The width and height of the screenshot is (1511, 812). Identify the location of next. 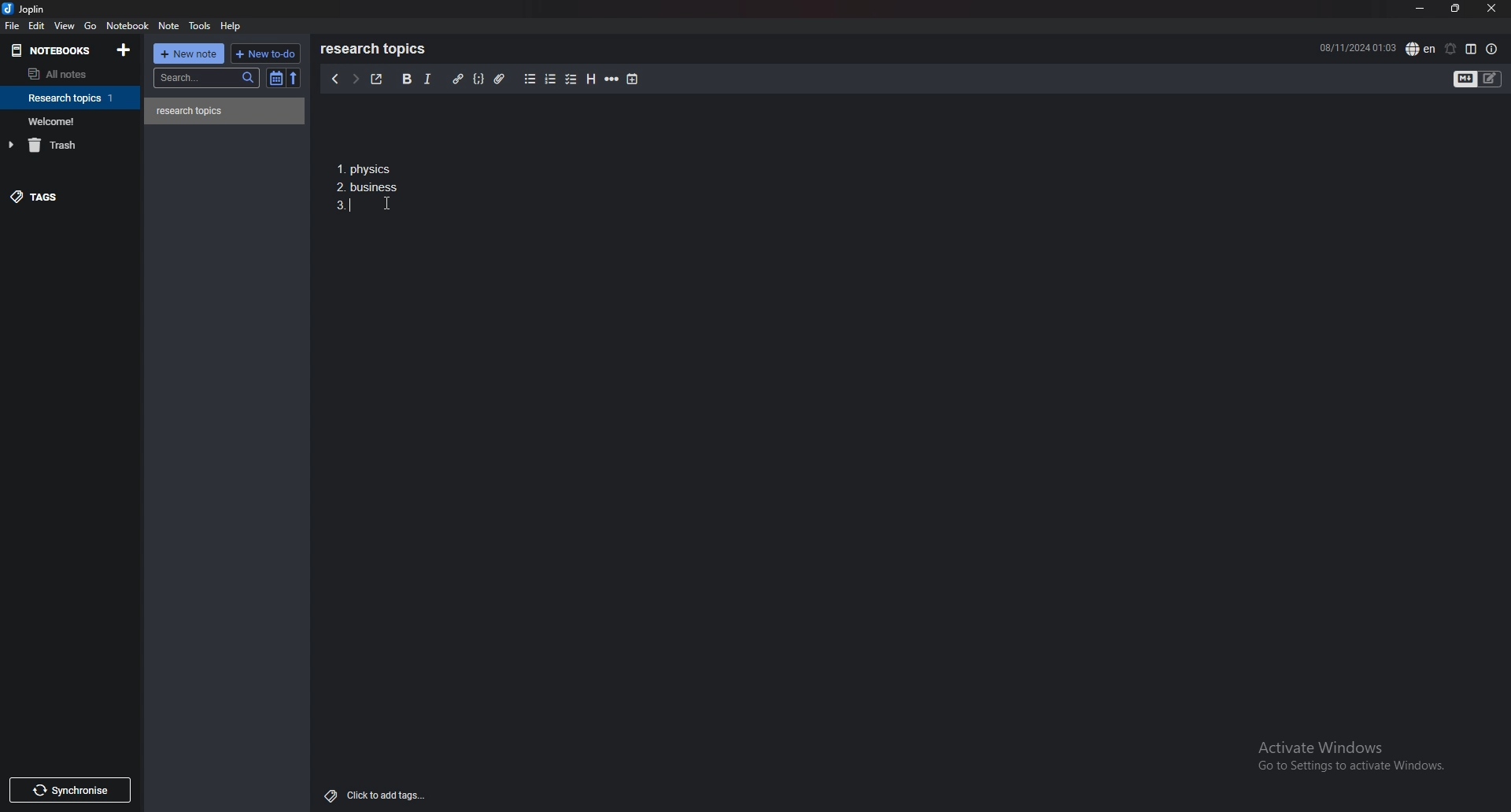
(353, 80).